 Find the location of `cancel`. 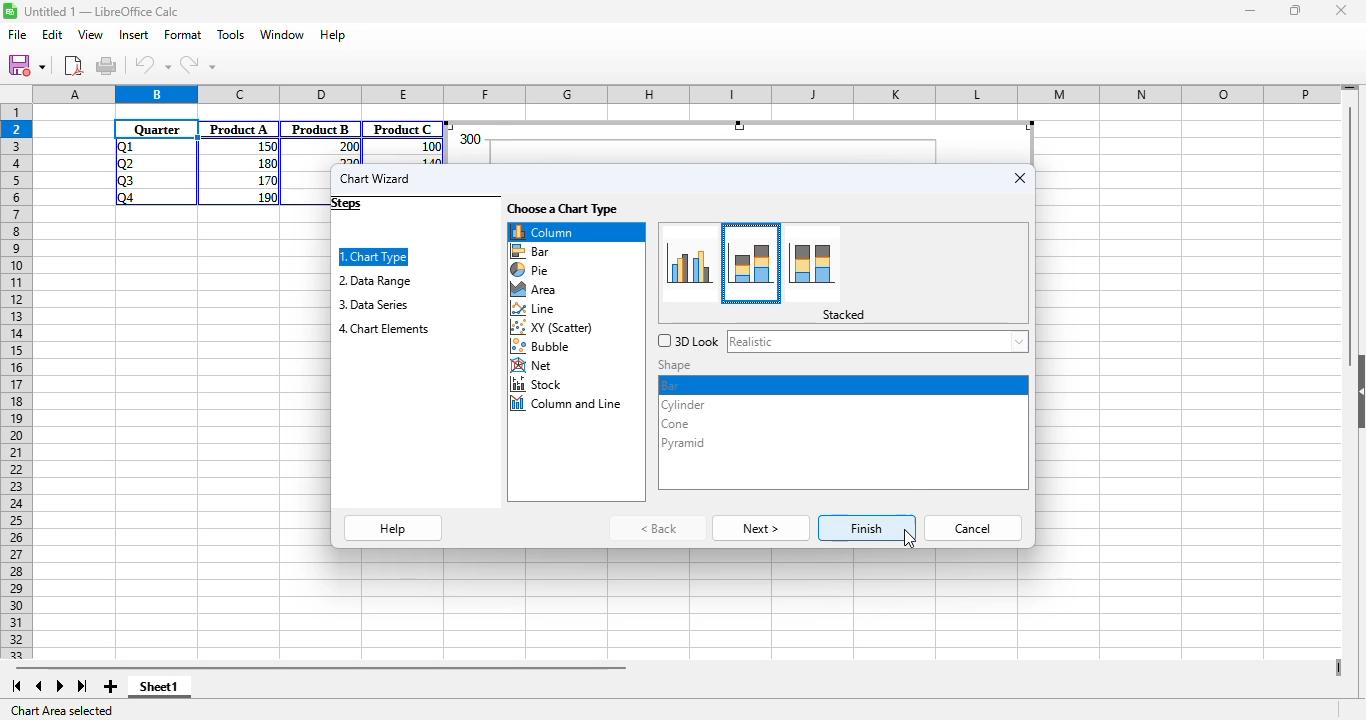

cancel is located at coordinates (974, 528).